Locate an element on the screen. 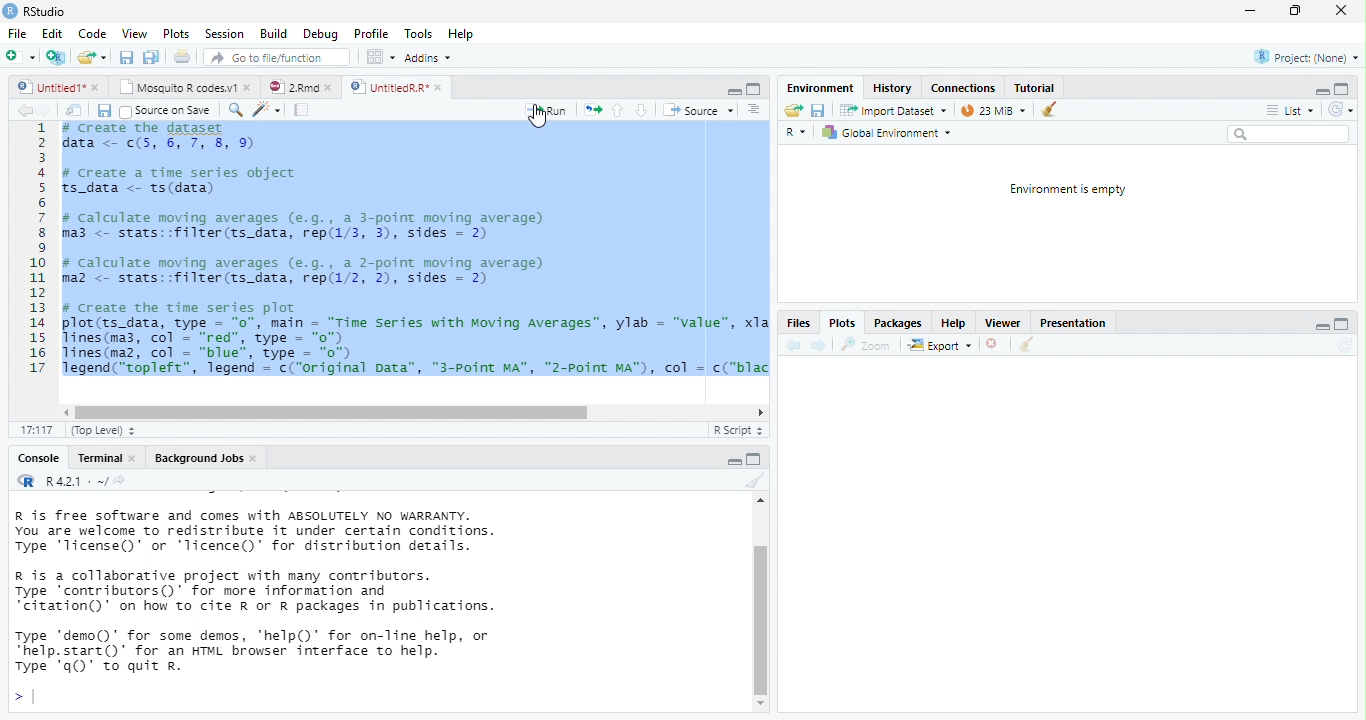 This screenshot has width=1366, height=720. maximize is located at coordinates (1342, 88).